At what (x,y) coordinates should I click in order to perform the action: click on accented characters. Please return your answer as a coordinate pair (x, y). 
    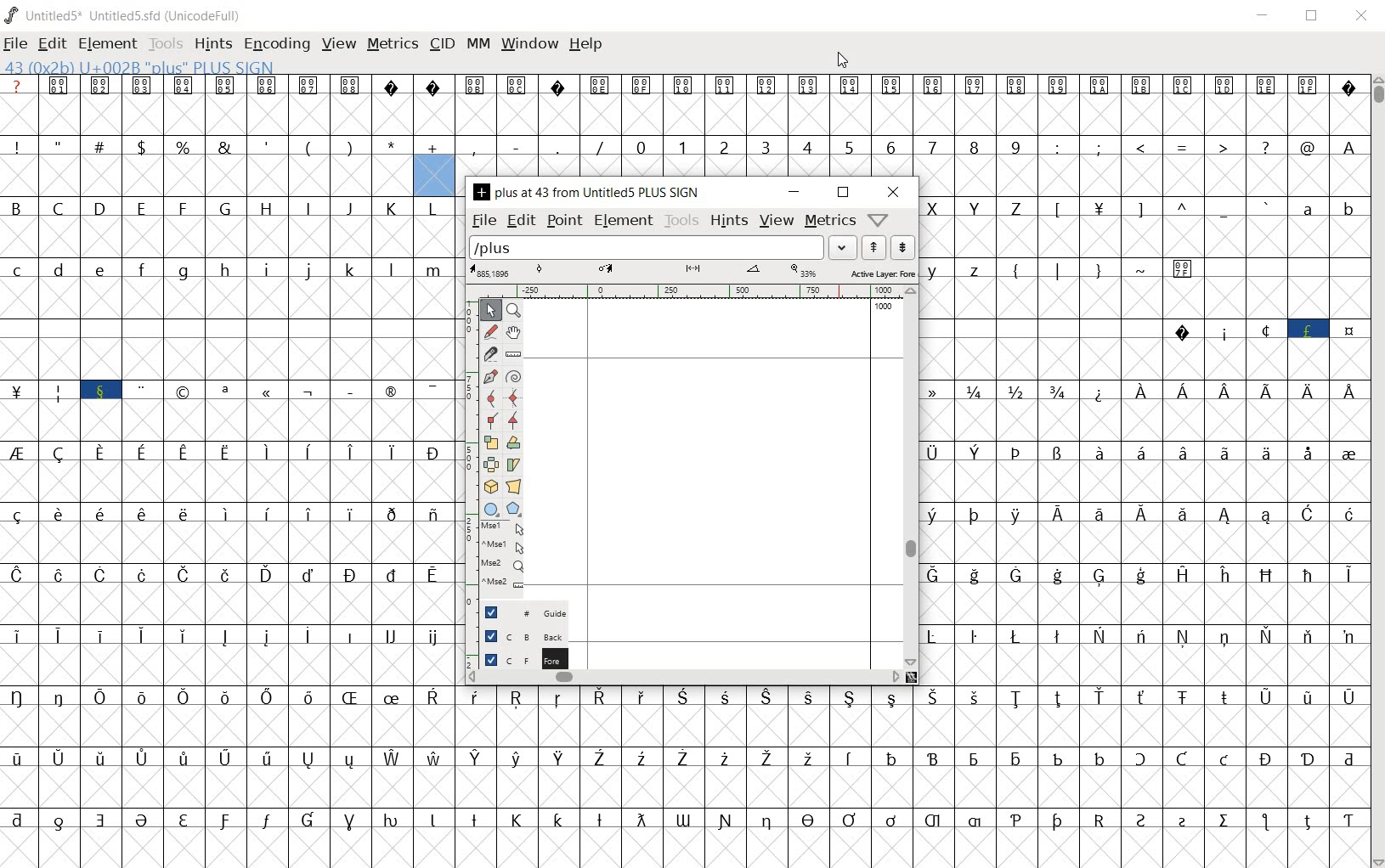
    Looking at the image, I should click on (336, 717).